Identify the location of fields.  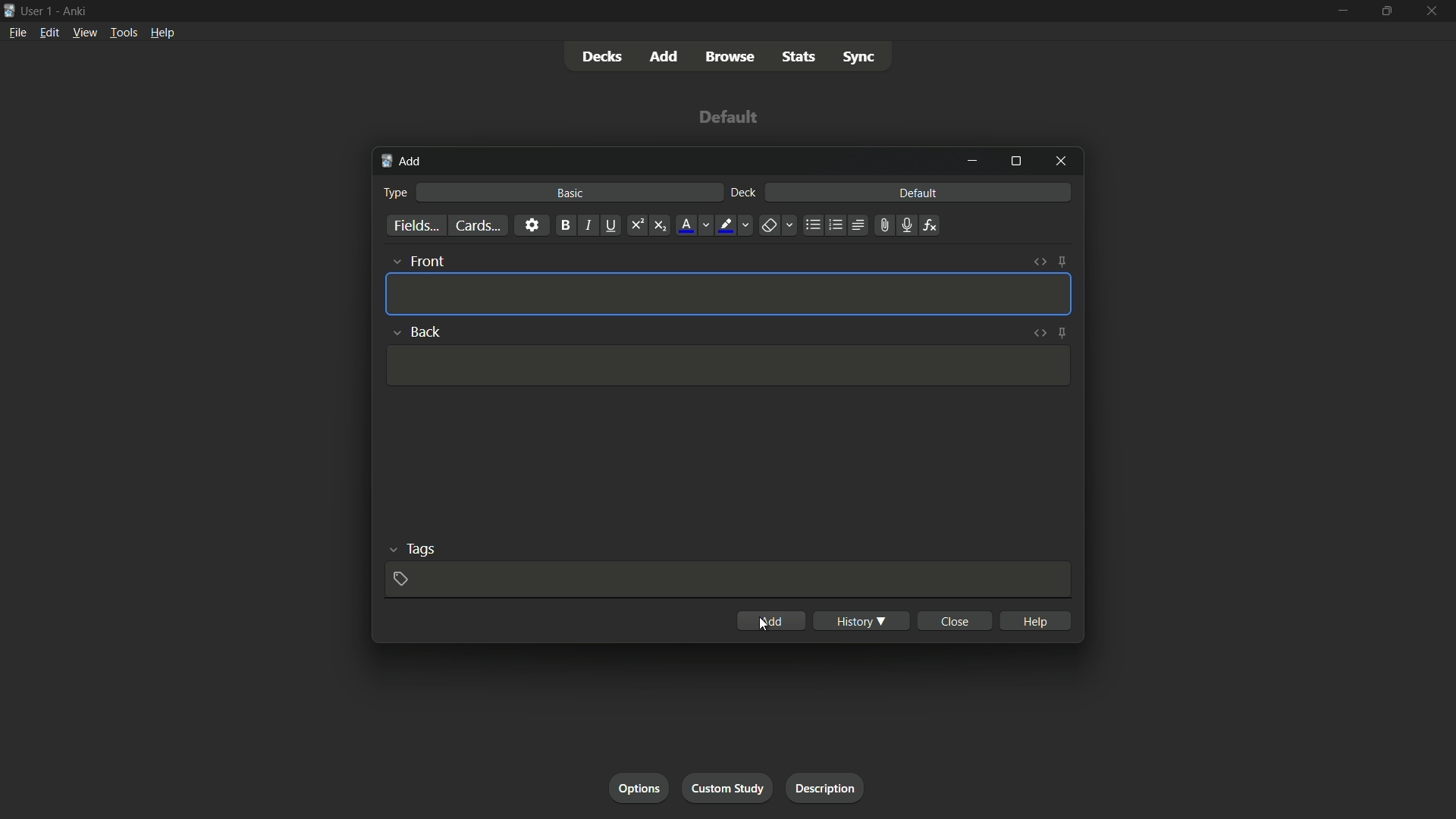
(416, 225).